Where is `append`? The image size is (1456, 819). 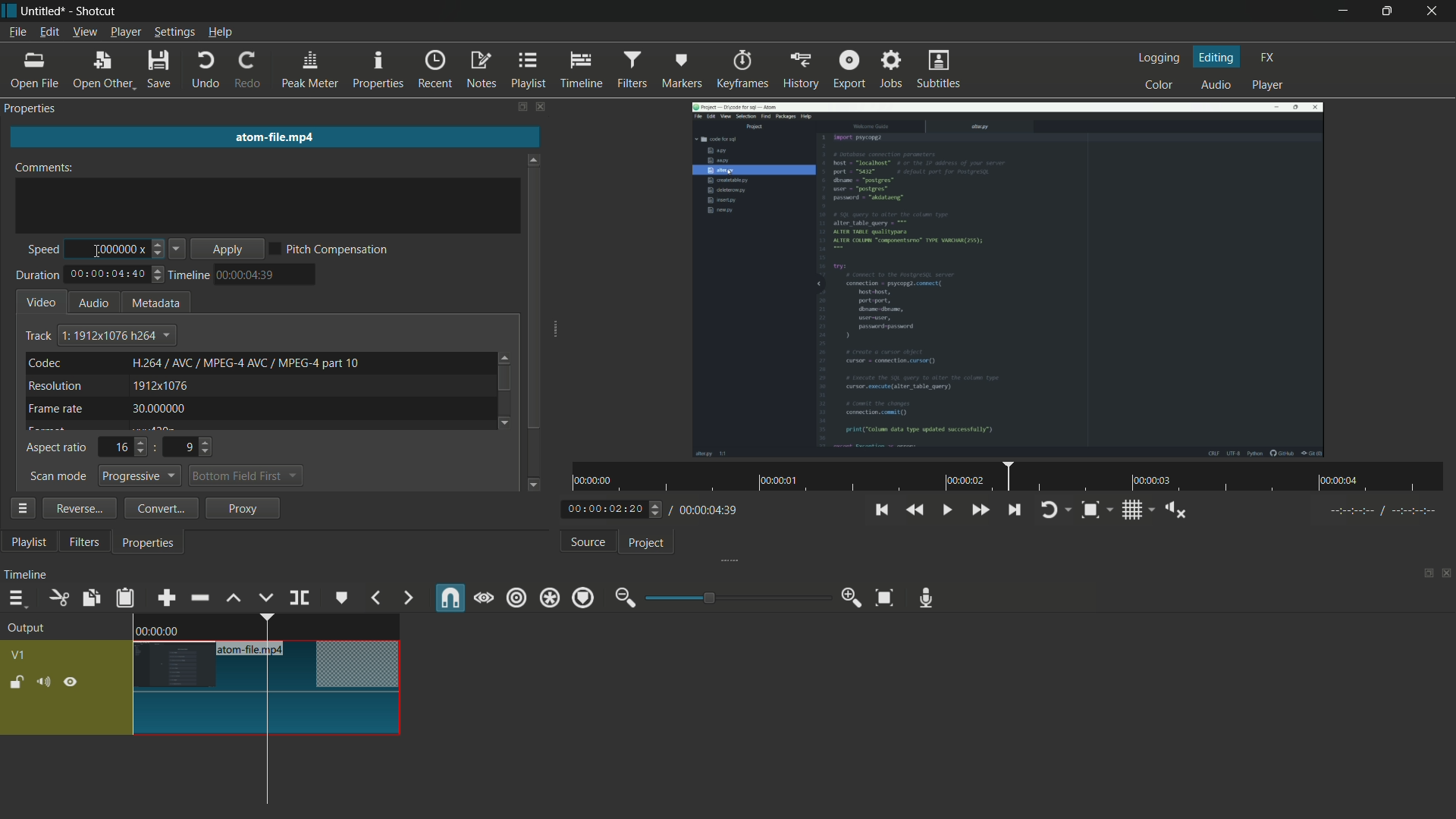 append is located at coordinates (165, 598).